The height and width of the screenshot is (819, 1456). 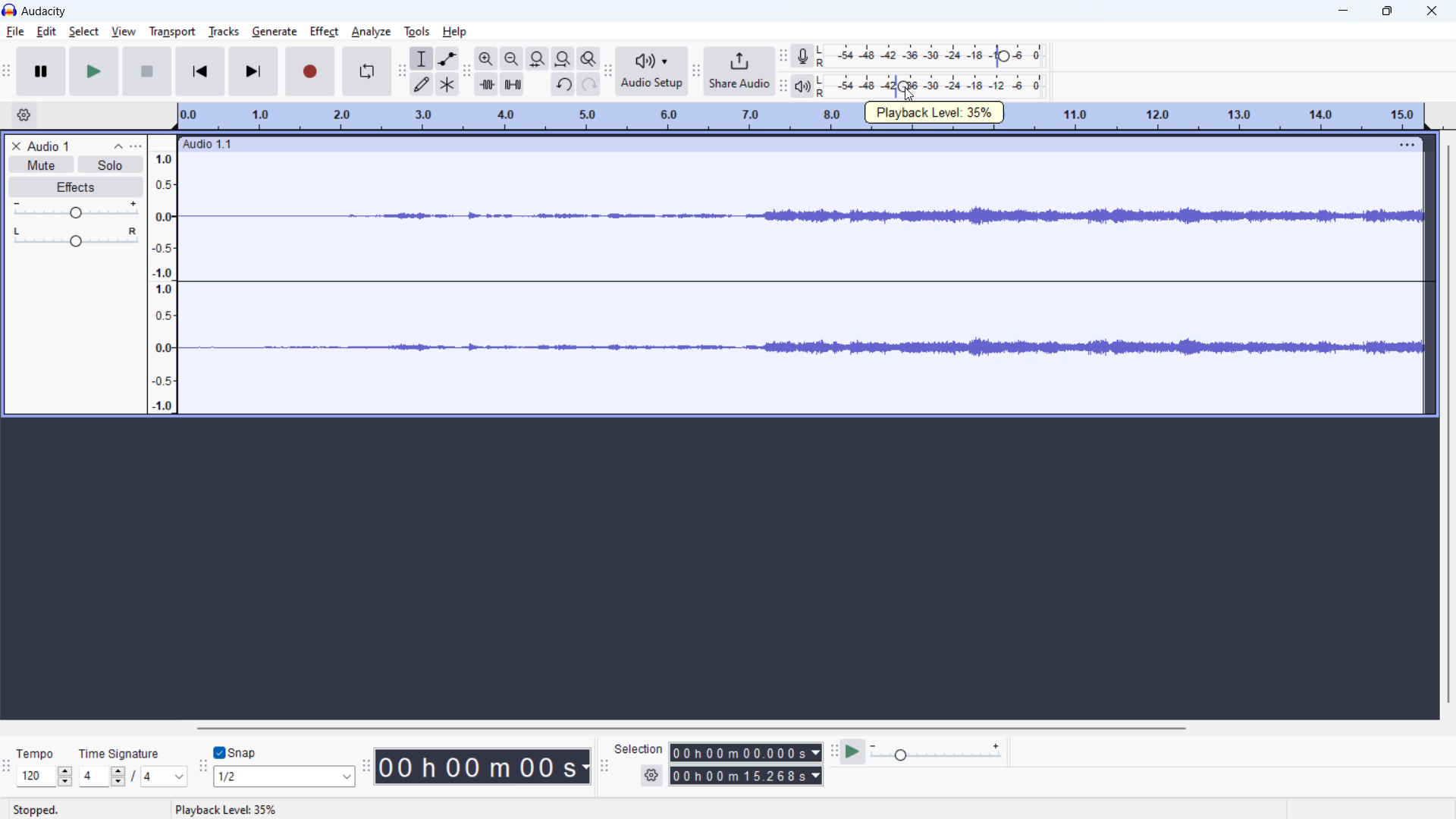 I want to click on fit selection to width, so click(x=537, y=58).